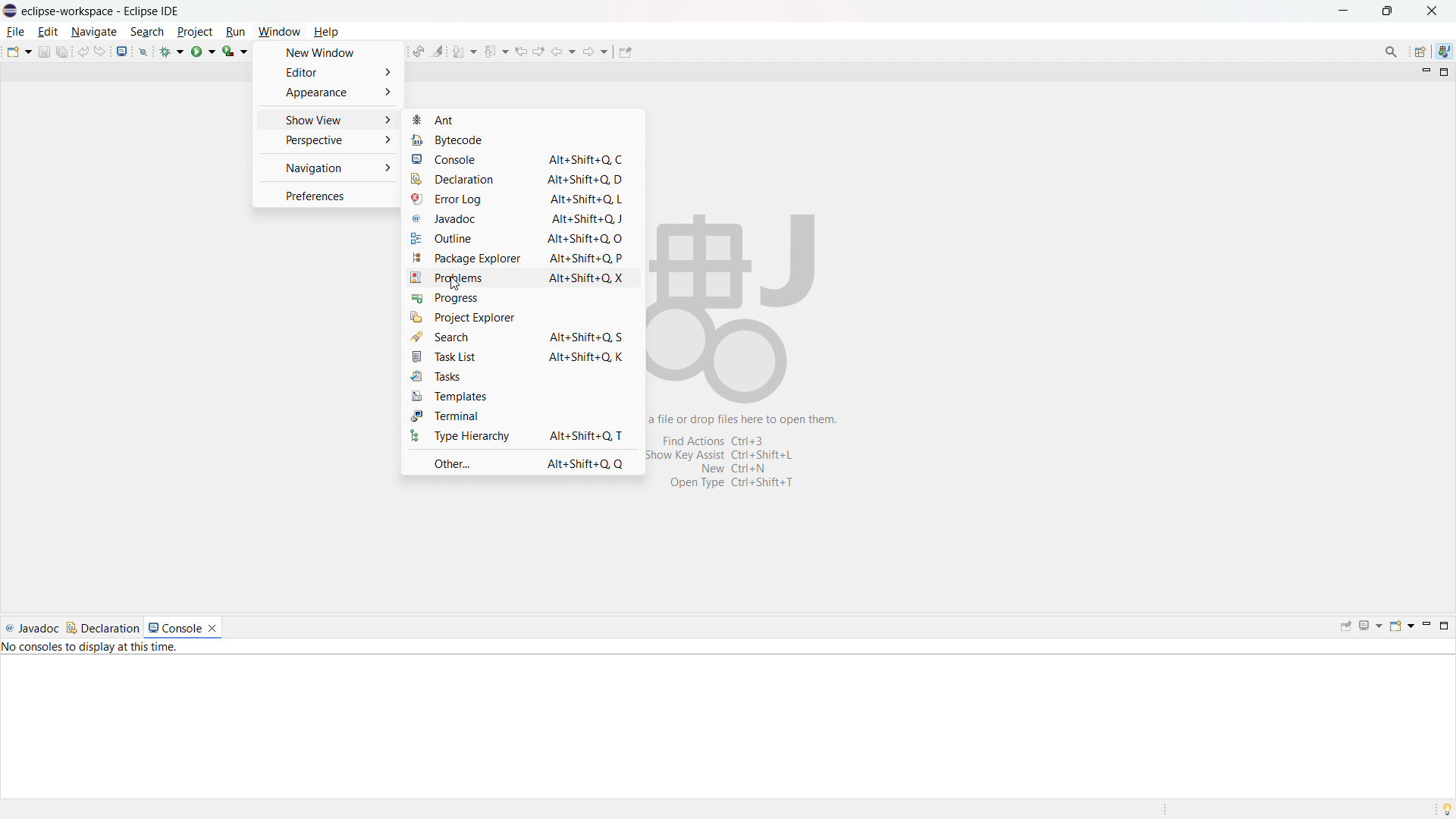 This screenshot has width=1456, height=819. Describe the element at coordinates (466, 51) in the screenshot. I see `next annotation` at that location.